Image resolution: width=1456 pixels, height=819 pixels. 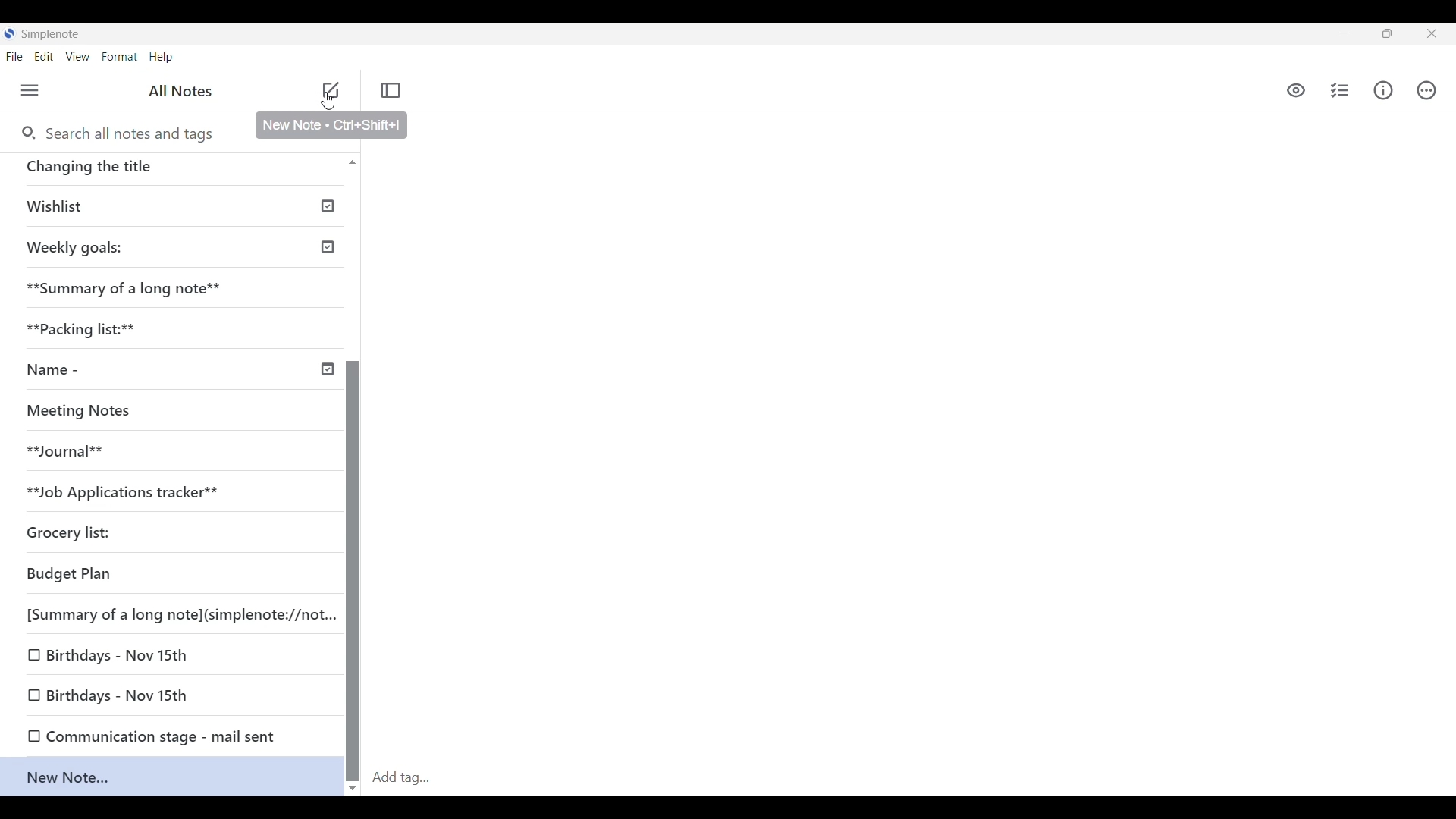 What do you see at coordinates (328, 249) in the screenshot?
I see `published` at bounding box center [328, 249].